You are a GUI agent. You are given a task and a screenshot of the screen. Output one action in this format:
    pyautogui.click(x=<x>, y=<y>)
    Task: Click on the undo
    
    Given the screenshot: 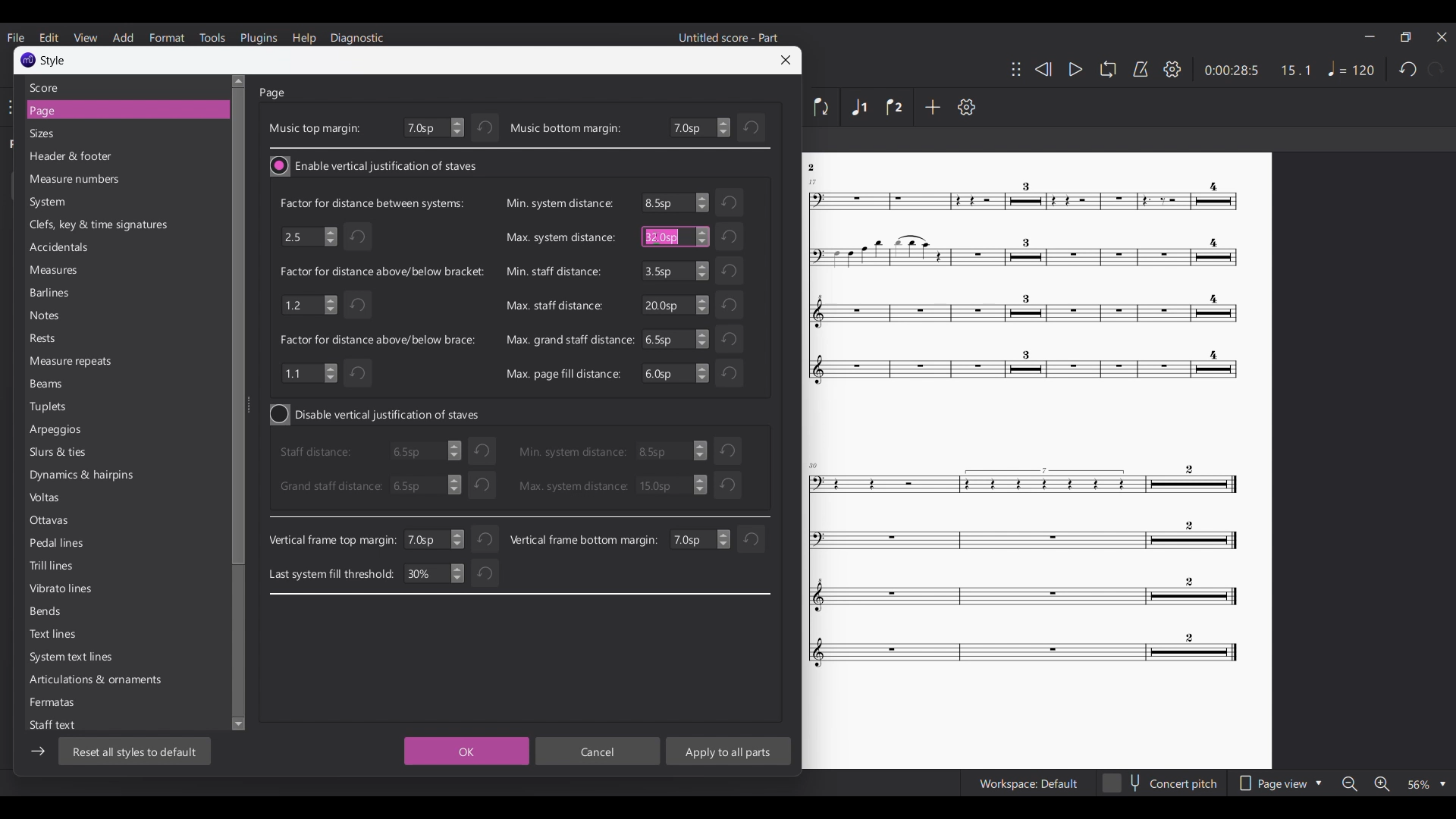 What is the action you would take?
    pyautogui.click(x=482, y=450)
    